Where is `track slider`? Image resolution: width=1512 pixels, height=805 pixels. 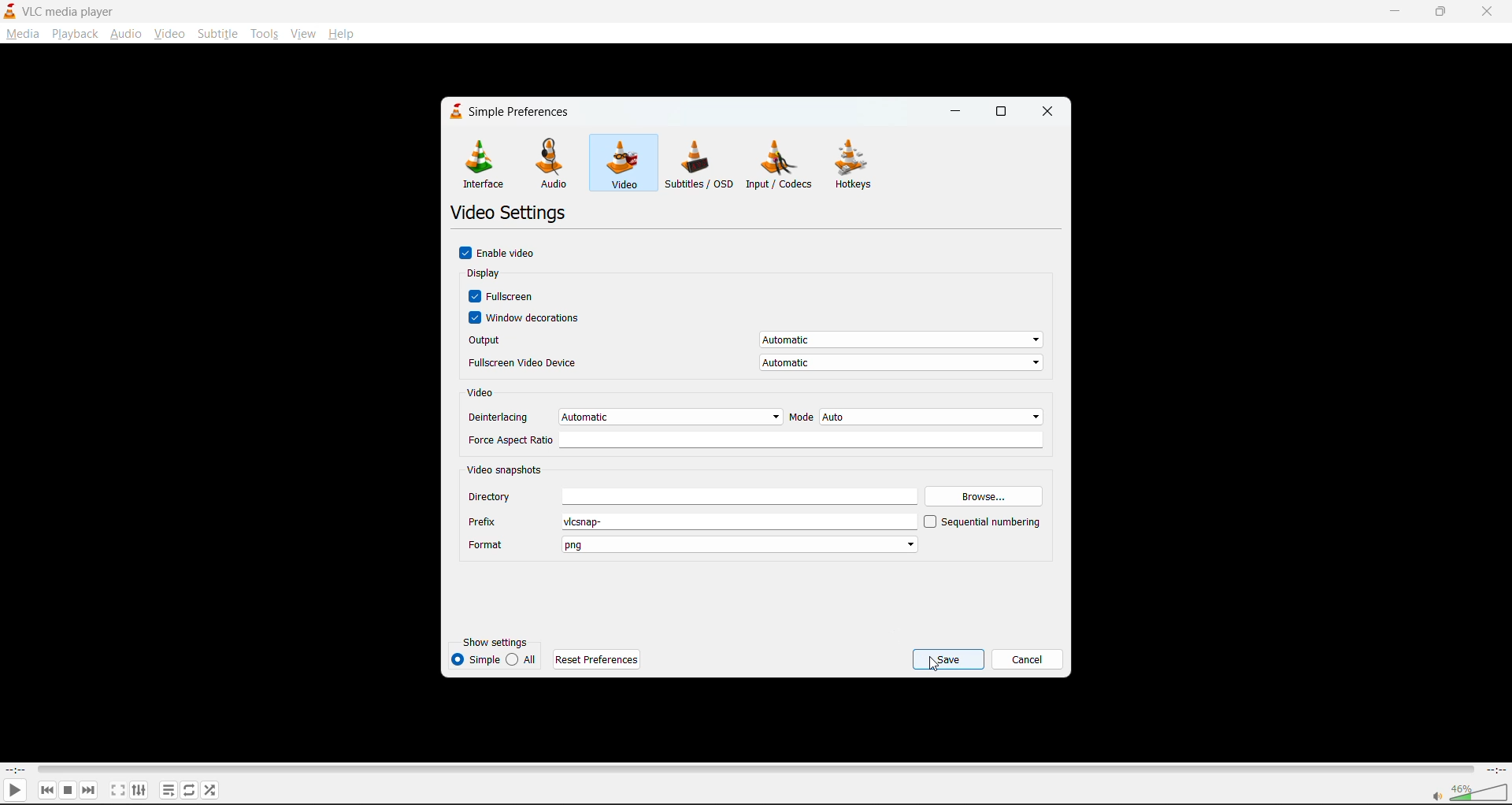
track slider is located at coordinates (751, 768).